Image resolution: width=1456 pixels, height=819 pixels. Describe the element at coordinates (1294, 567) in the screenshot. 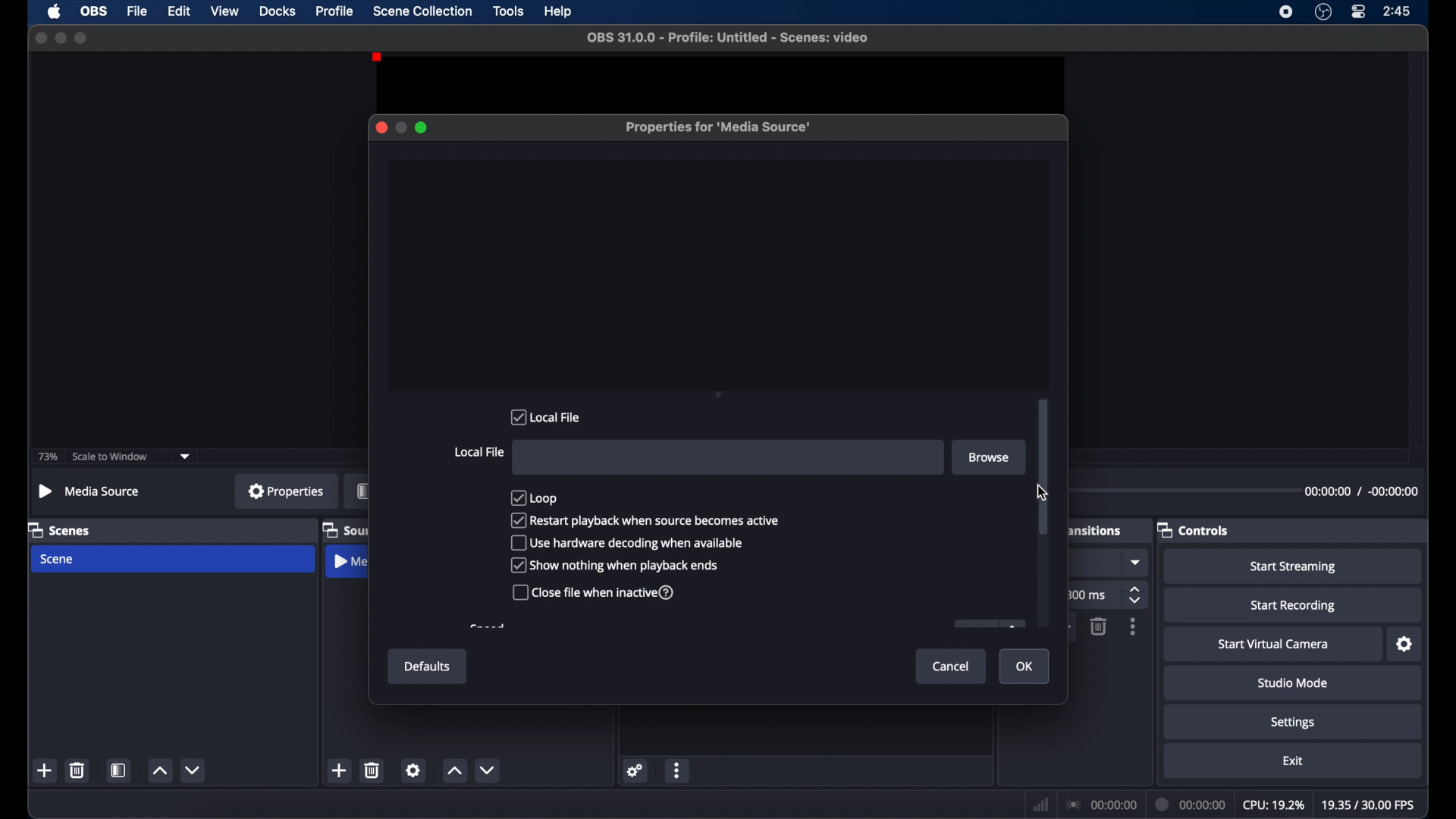

I see `start streaming` at that location.